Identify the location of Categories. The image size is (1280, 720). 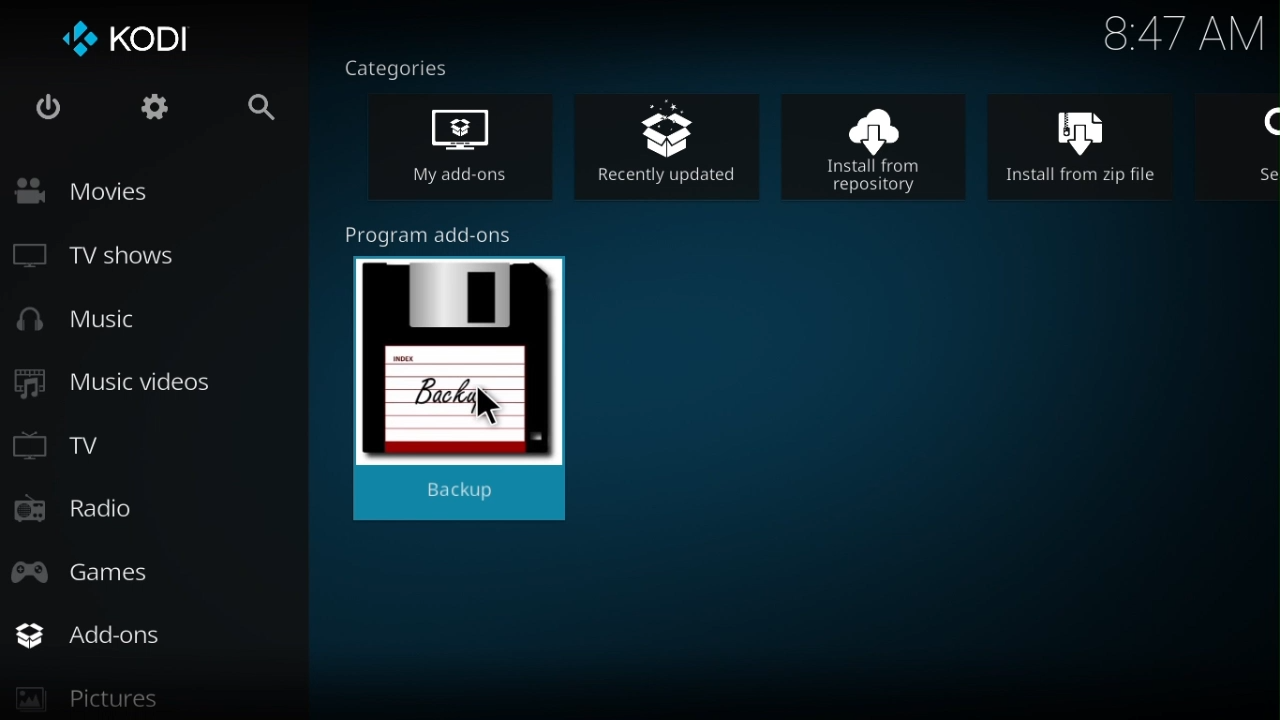
(407, 66).